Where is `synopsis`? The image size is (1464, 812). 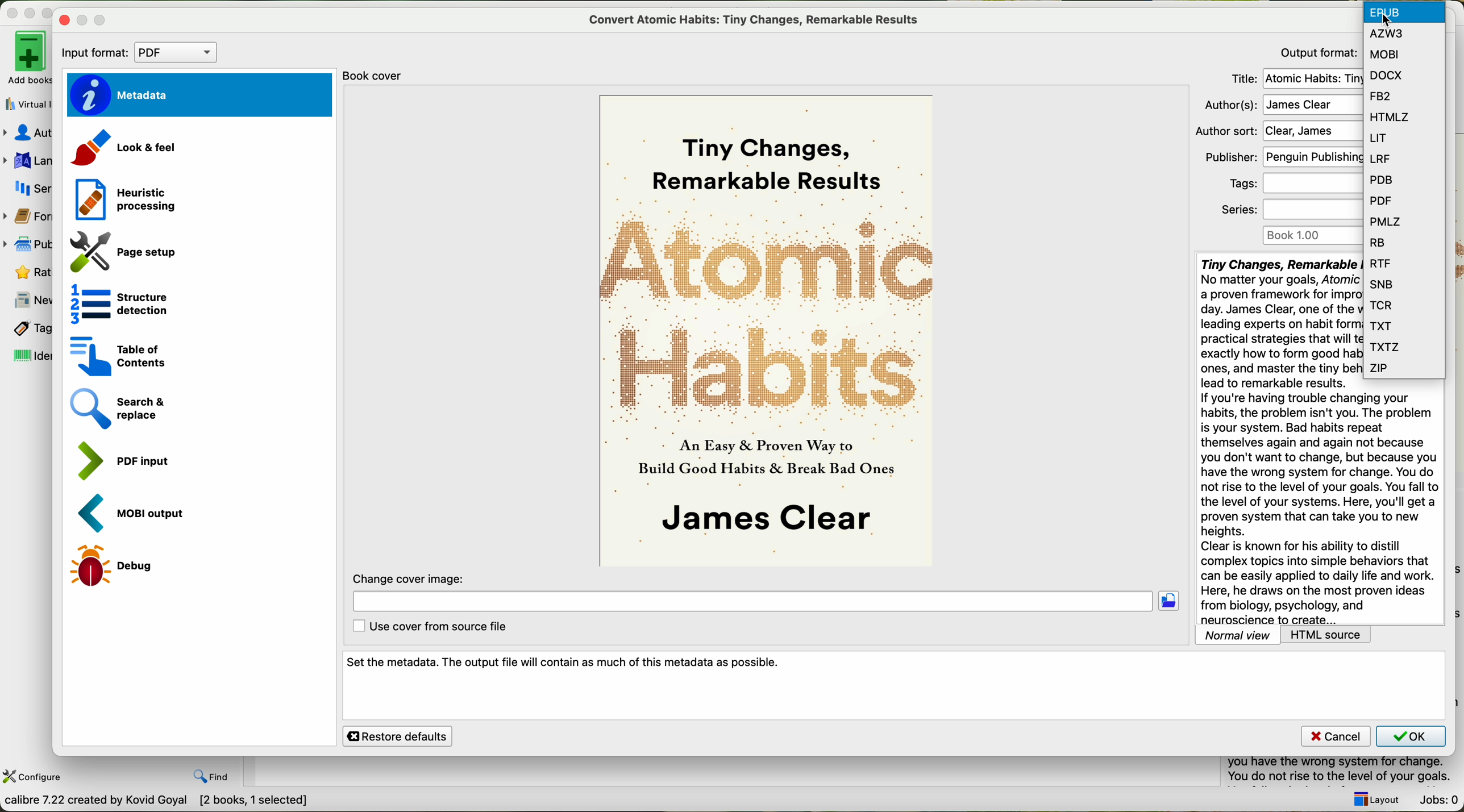
synopsis is located at coordinates (1320, 504).